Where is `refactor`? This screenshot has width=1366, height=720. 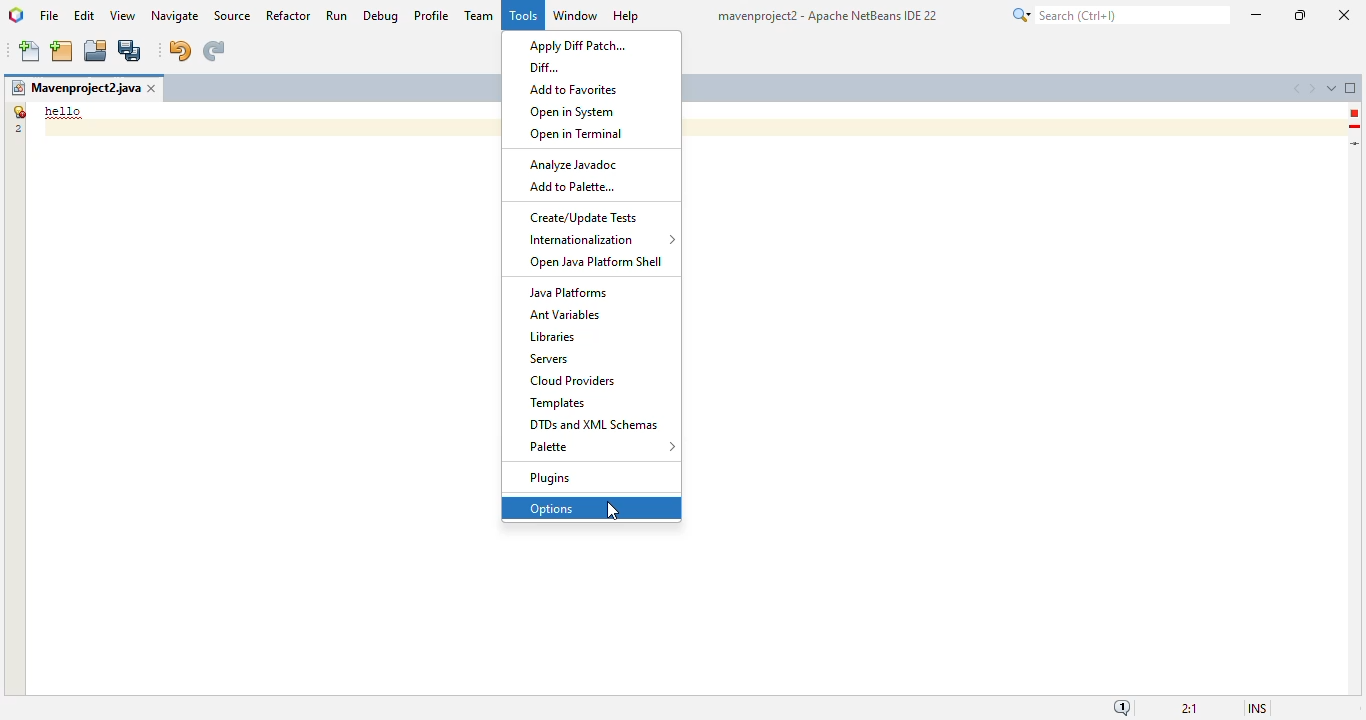
refactor is located at coordinates (289, 15).